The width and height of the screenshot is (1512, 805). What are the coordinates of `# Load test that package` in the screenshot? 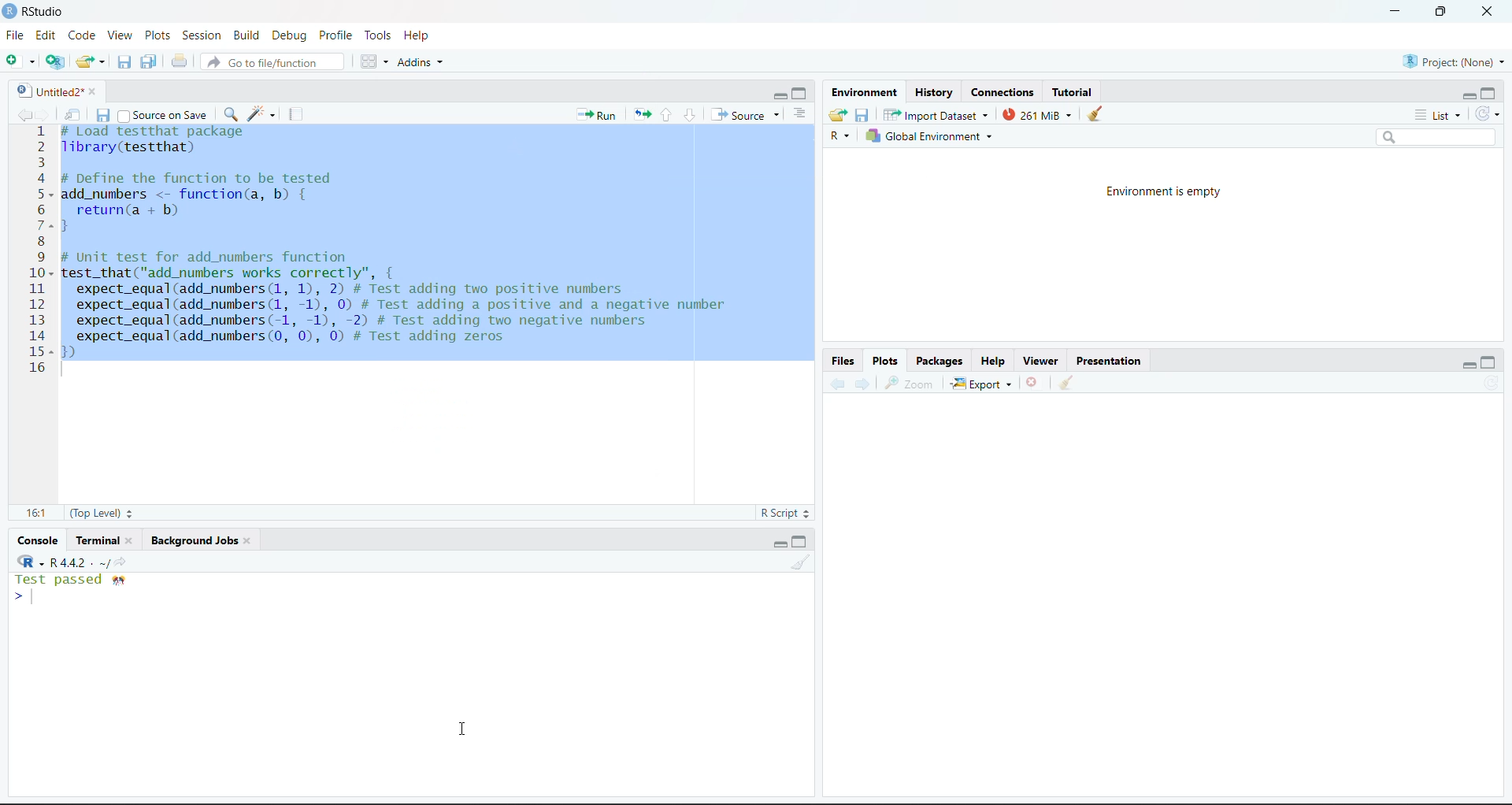 It's located at (153, 131).